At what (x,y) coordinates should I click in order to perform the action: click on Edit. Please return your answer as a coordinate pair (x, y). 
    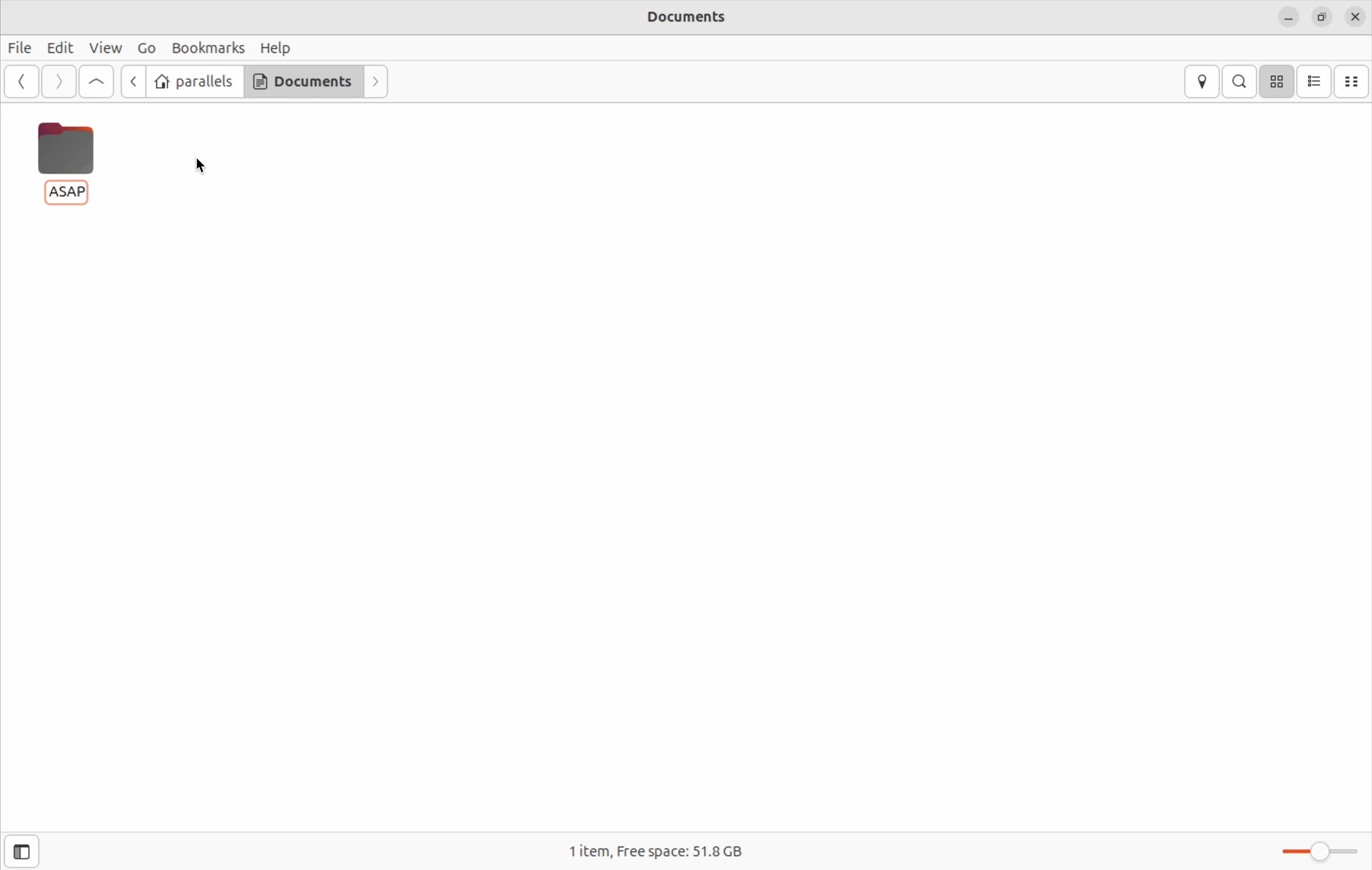
    Looking at the image, I should click on (59, 47).